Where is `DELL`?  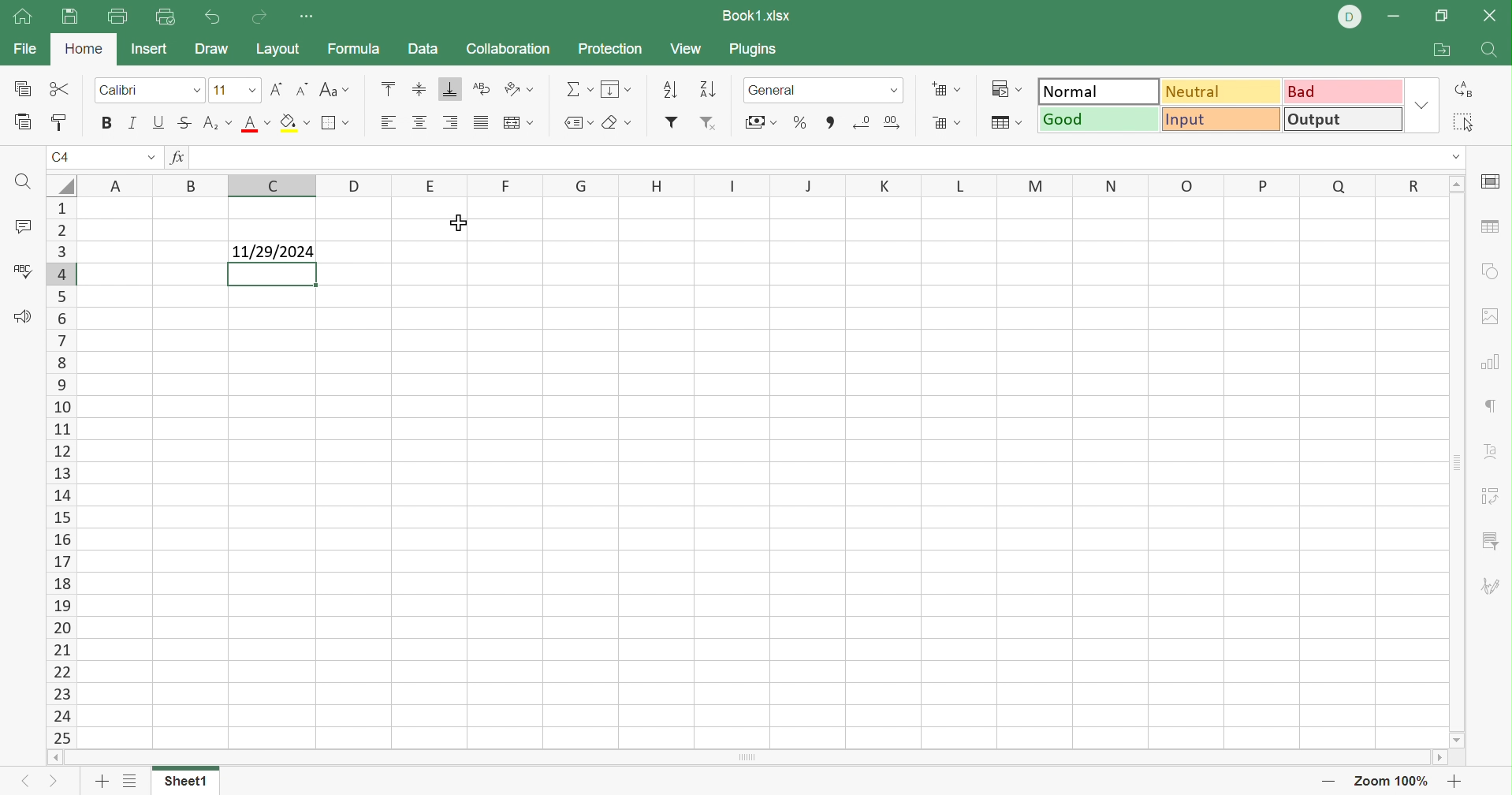
DELL is located at coordinates (1348, 17).